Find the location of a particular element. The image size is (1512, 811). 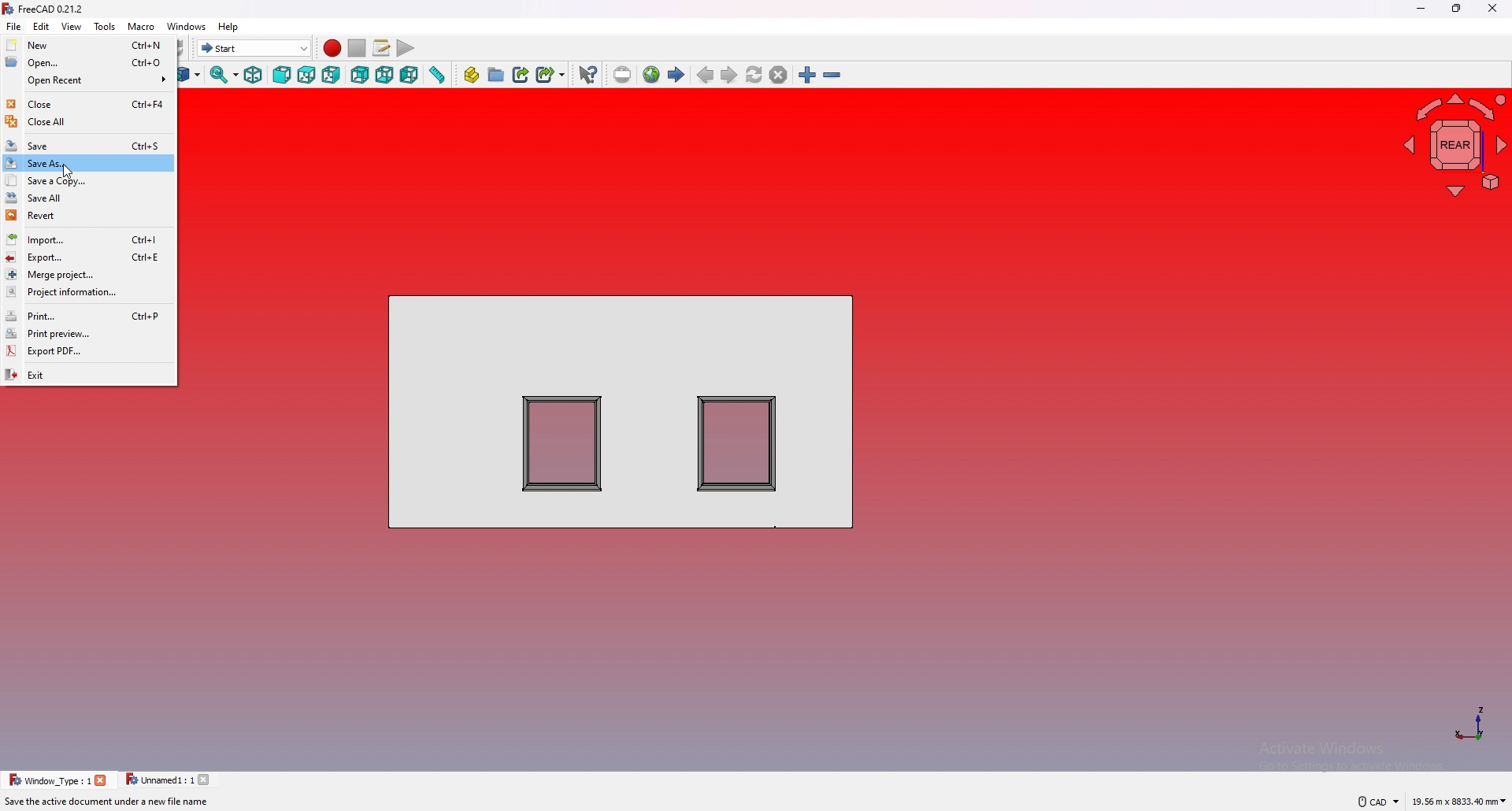

open website is located at coordinates (651, 75).